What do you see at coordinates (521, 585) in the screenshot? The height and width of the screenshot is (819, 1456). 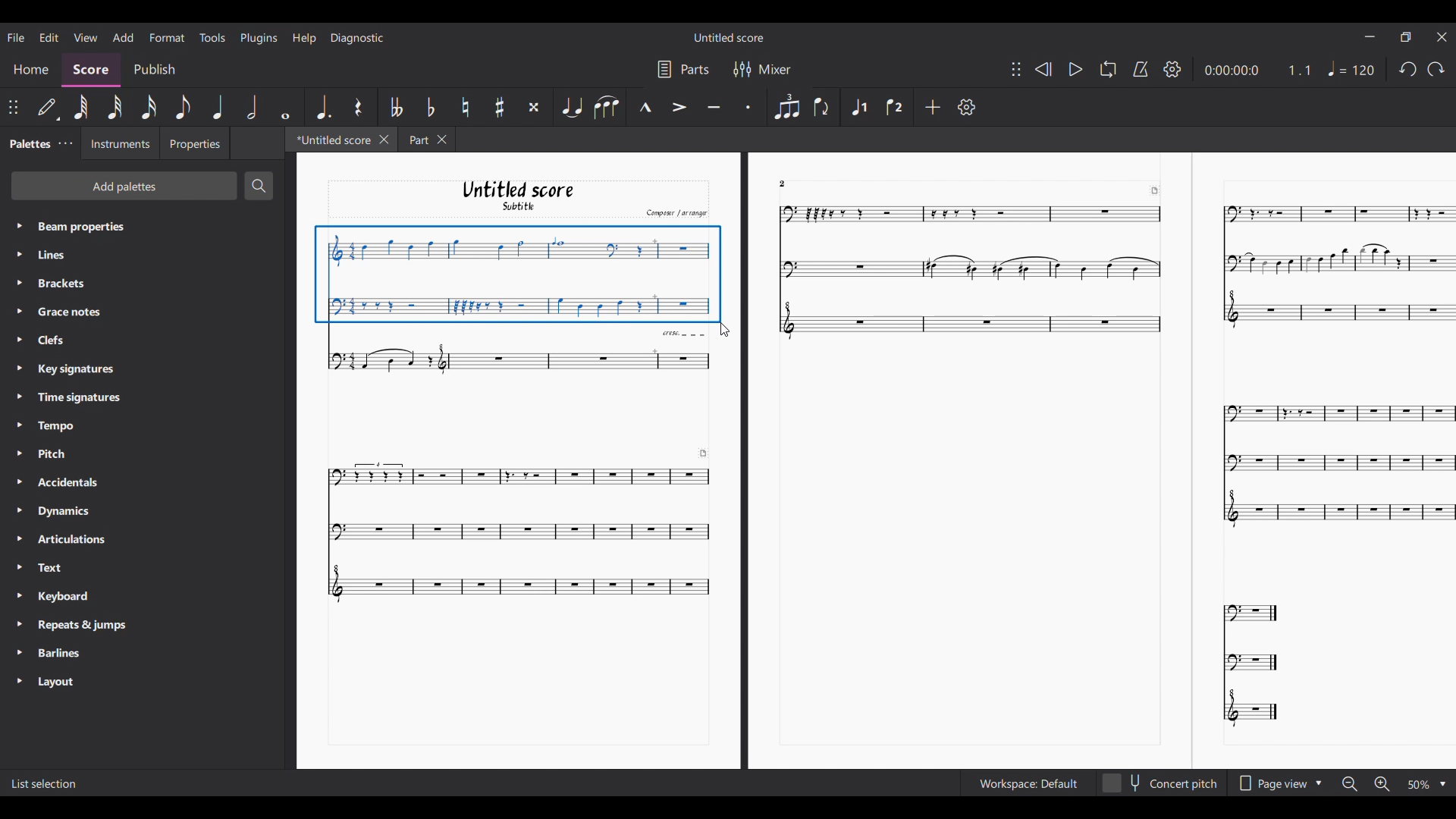 I see `` at bounding box center [521, 585].